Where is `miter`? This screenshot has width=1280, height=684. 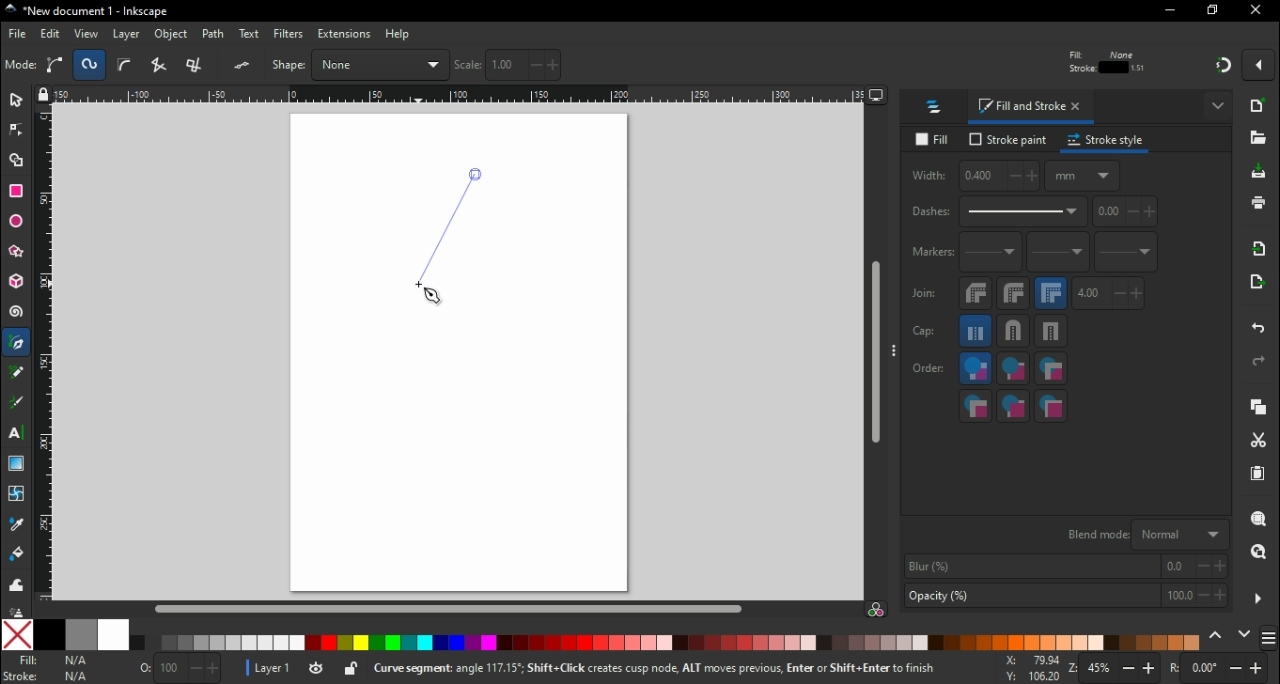
miter is located at coordinates (1053, 296).